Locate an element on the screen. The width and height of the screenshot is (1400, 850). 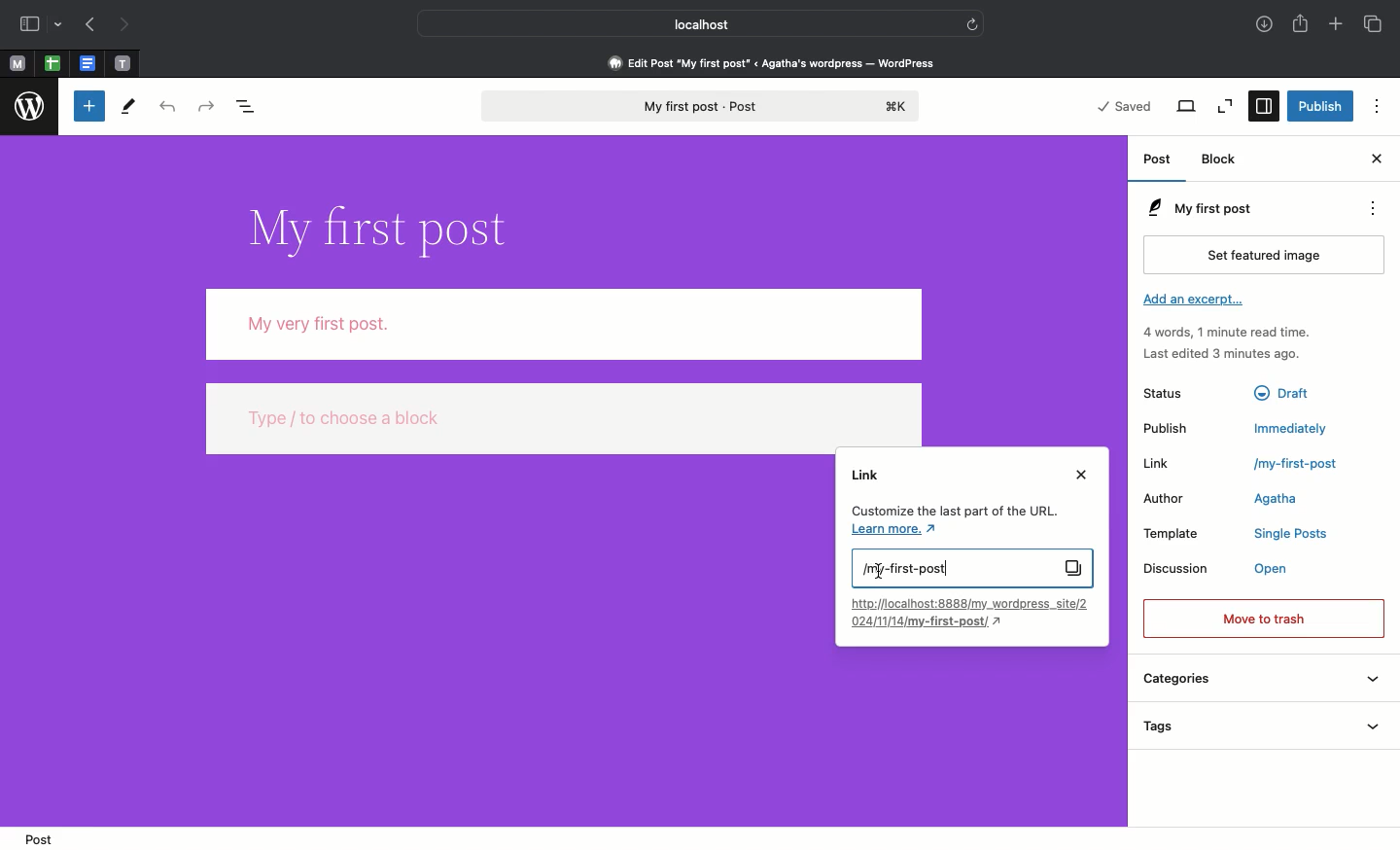
Publish is located at coordinates (1166, 426).